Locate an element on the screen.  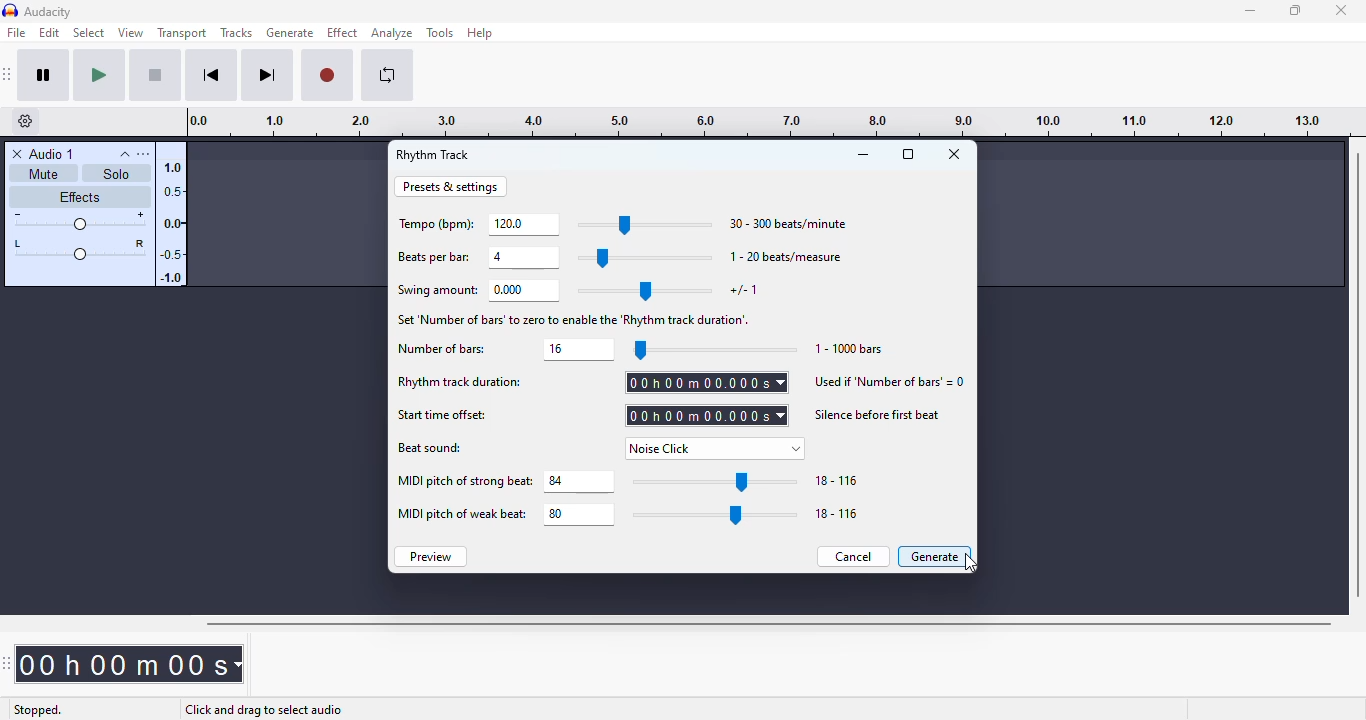
maximize is located at coordinates (1295, 10).